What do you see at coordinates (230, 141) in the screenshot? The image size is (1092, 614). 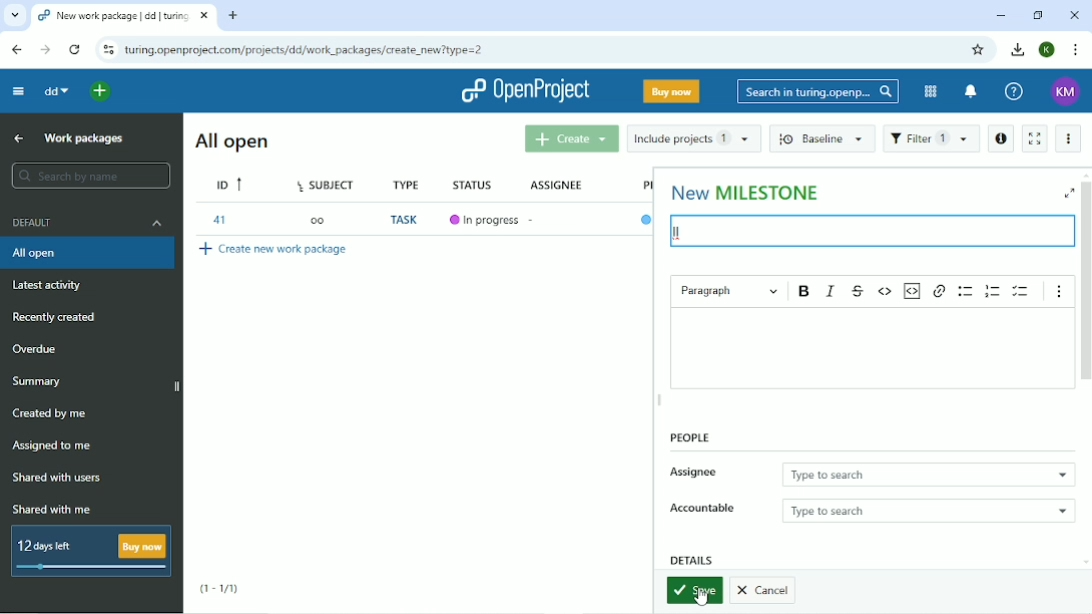 I see `All open` at bounding box center [230, 141].